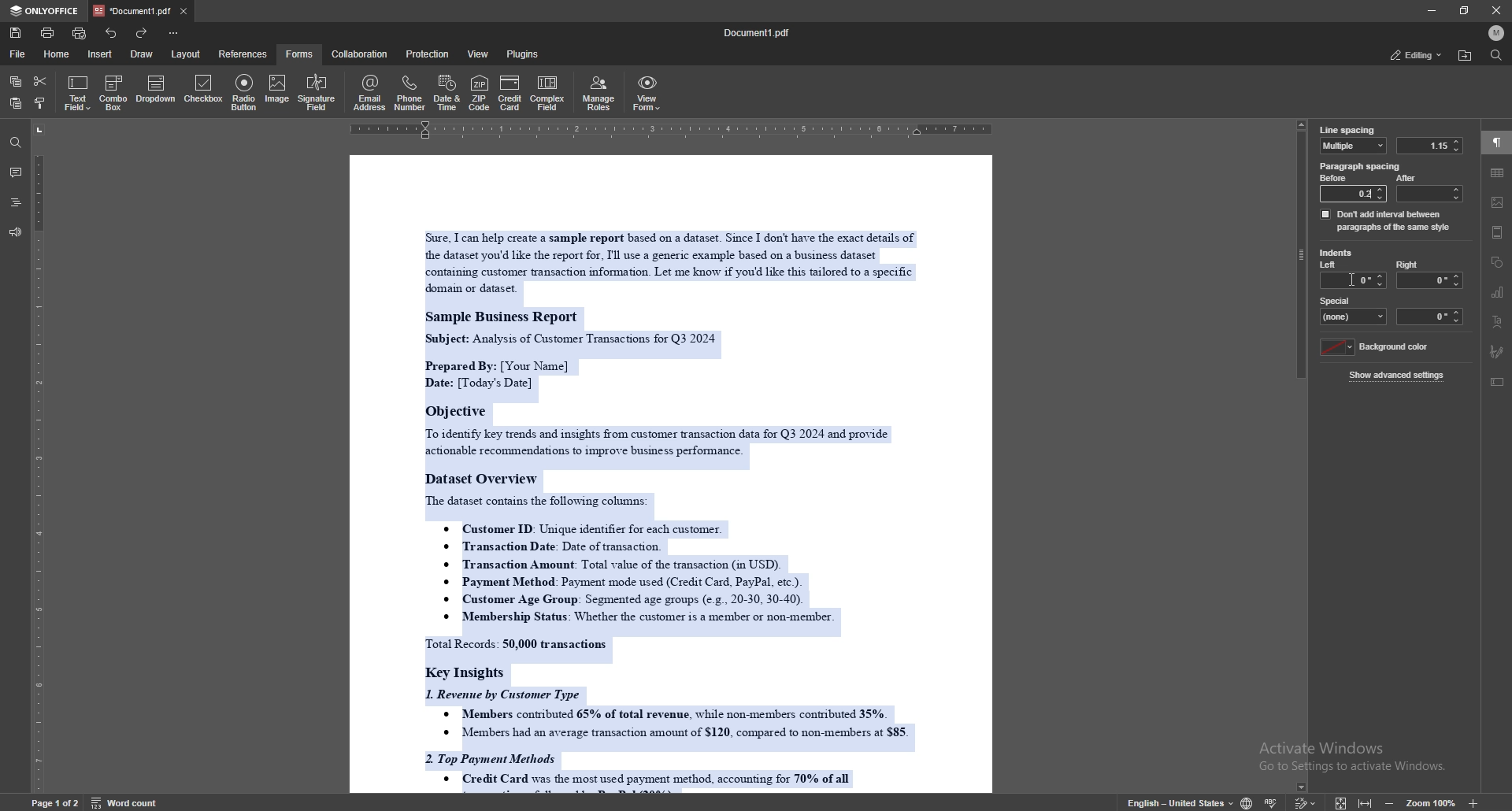 Image resolution: width=1512 pixels, height=811 pixels. Describe the element at coordinates (1304, 457) in the screenshot. I see `scroll bar` at that location.